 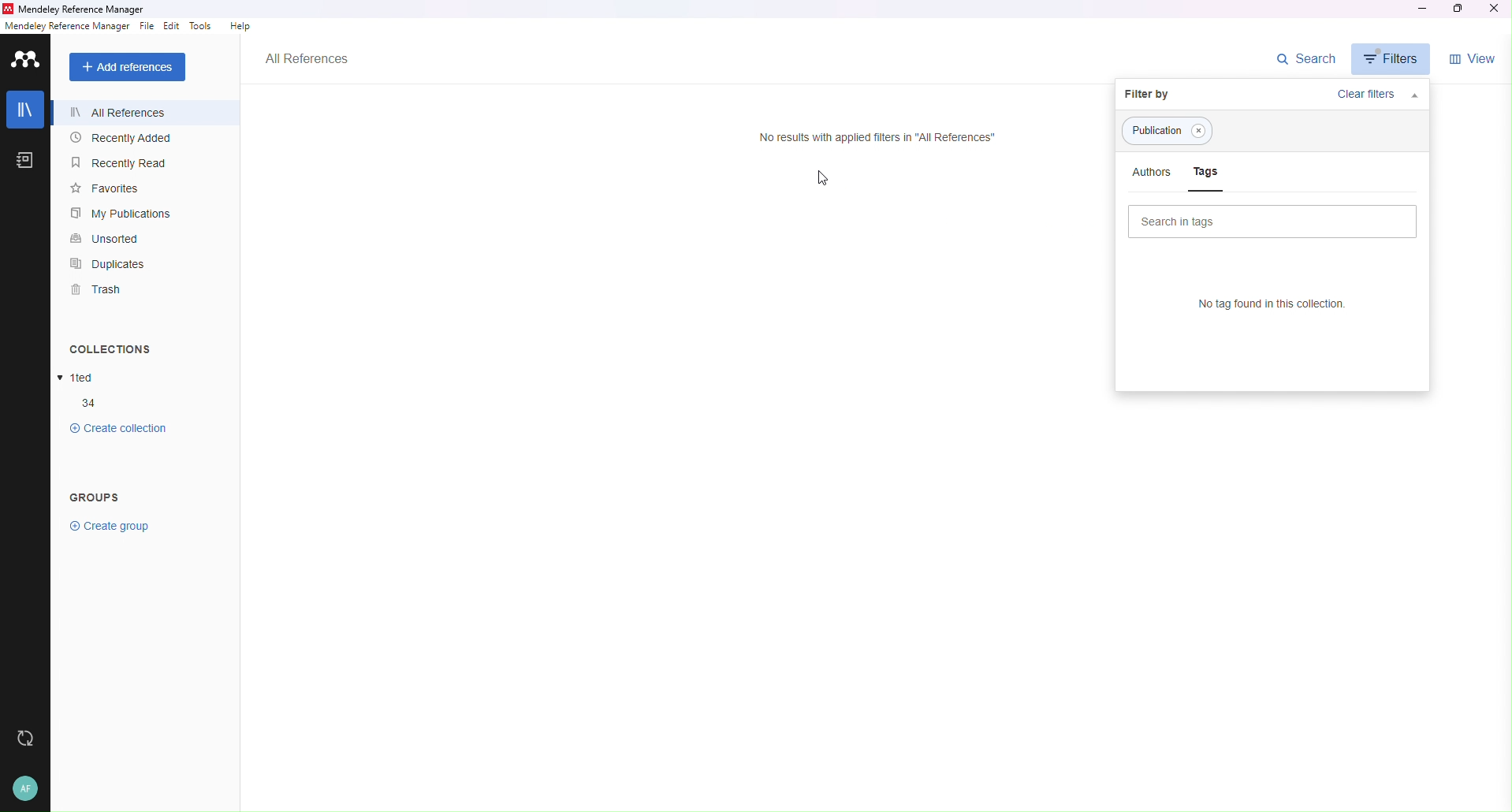 What do you see at coordinates (128, 140) in the screenshot?
I see `Recently Added` at bounding box center [128, 140].